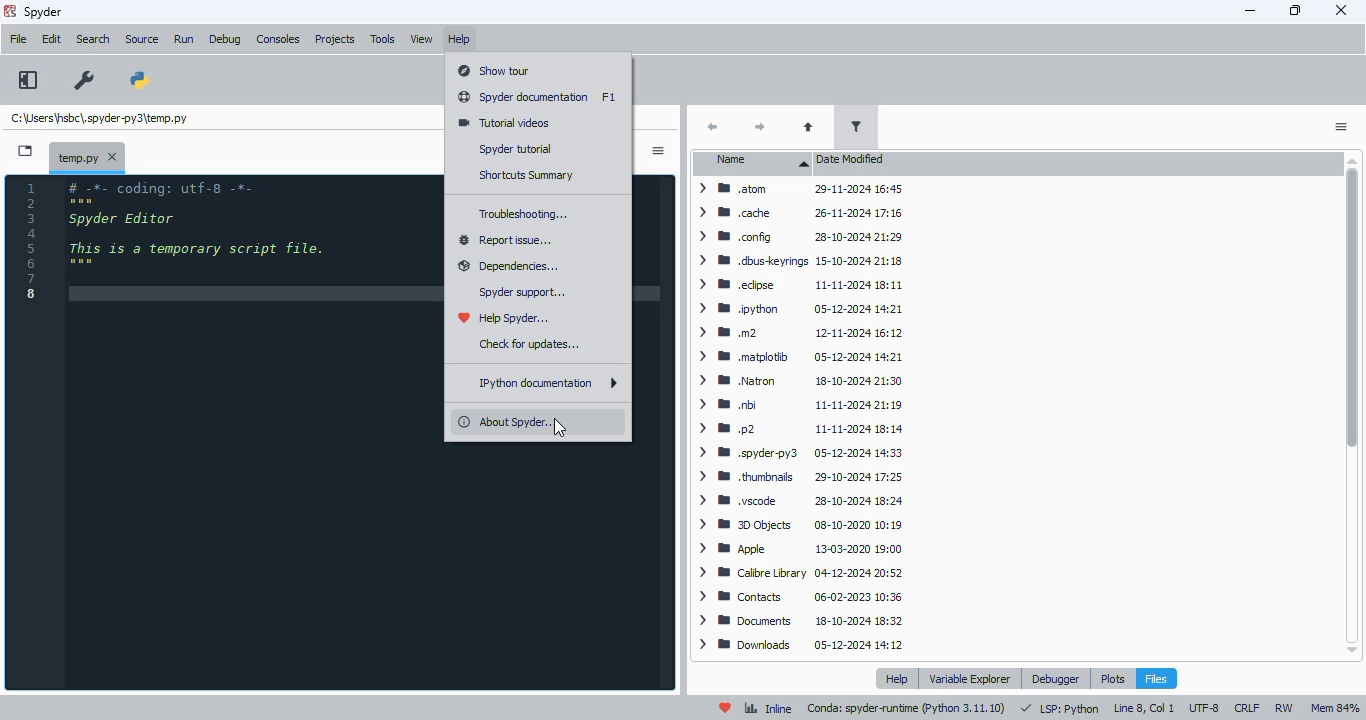  What do you see at coordinates (809, 127) in the screenshot?
I see `parent` at bounding box center [809, 127].